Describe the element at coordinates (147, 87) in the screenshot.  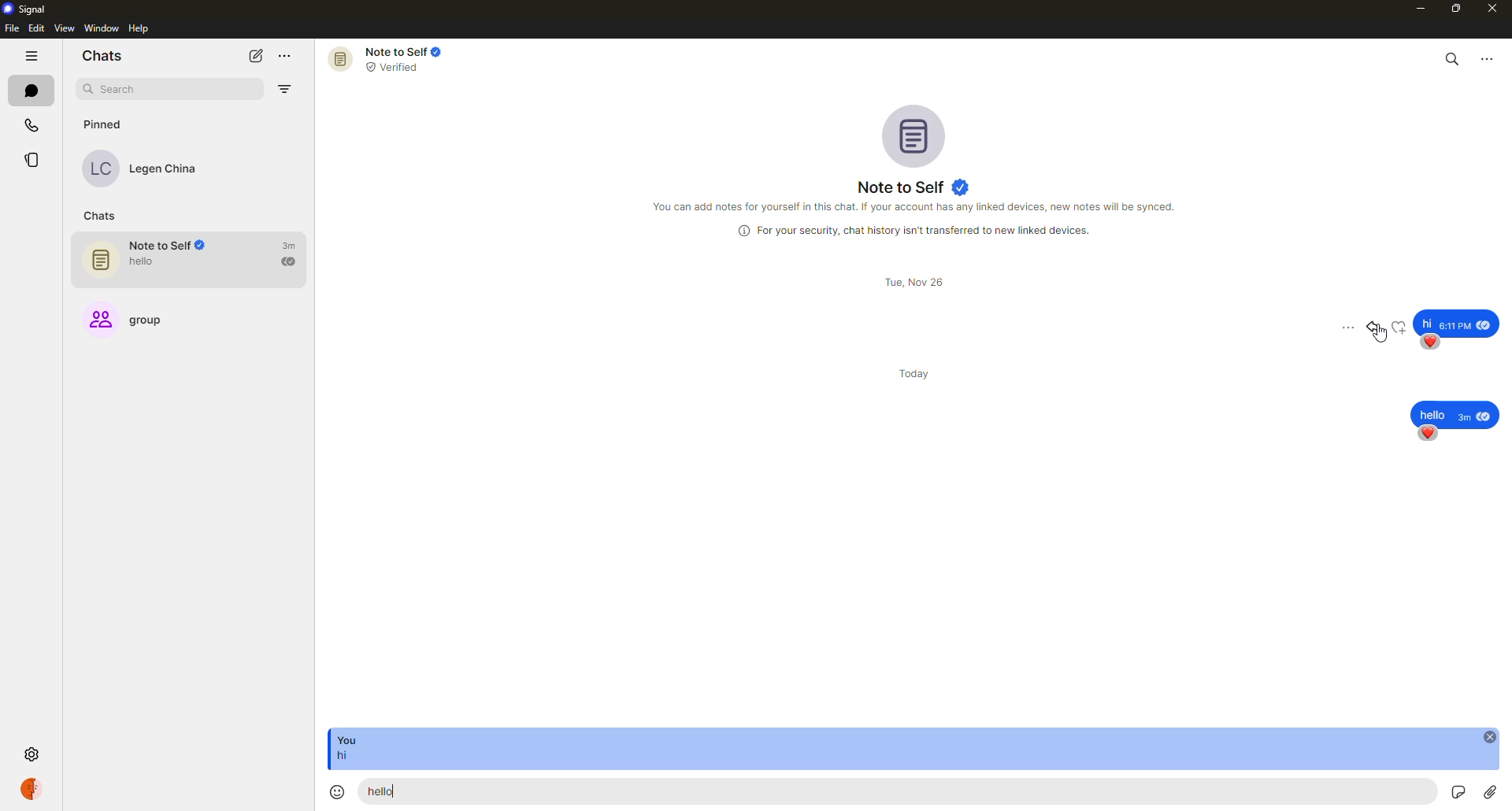
I see `search` at that location.